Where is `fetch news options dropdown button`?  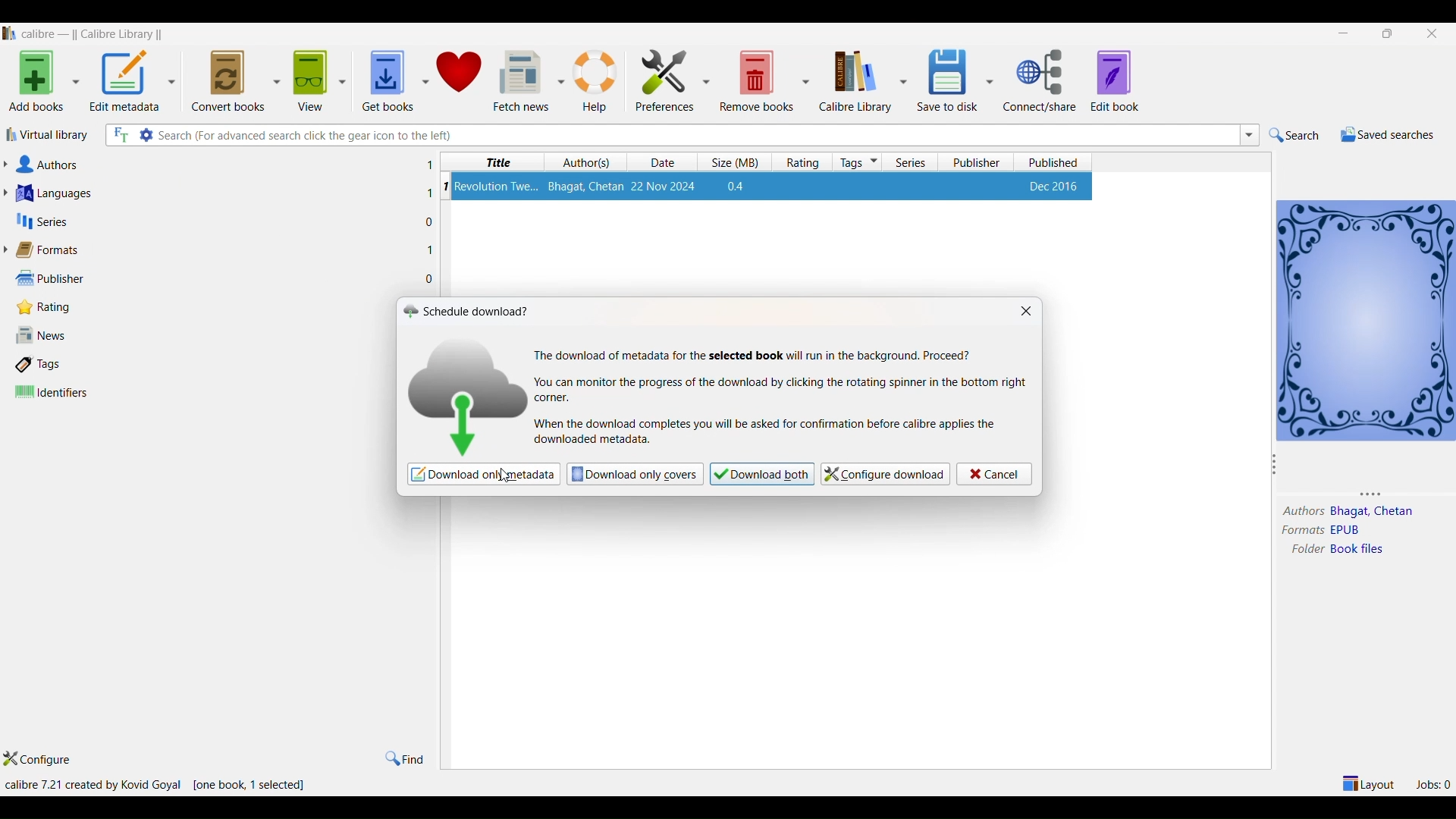 fetch news options dropdown button is located at coordinates (562, 75).